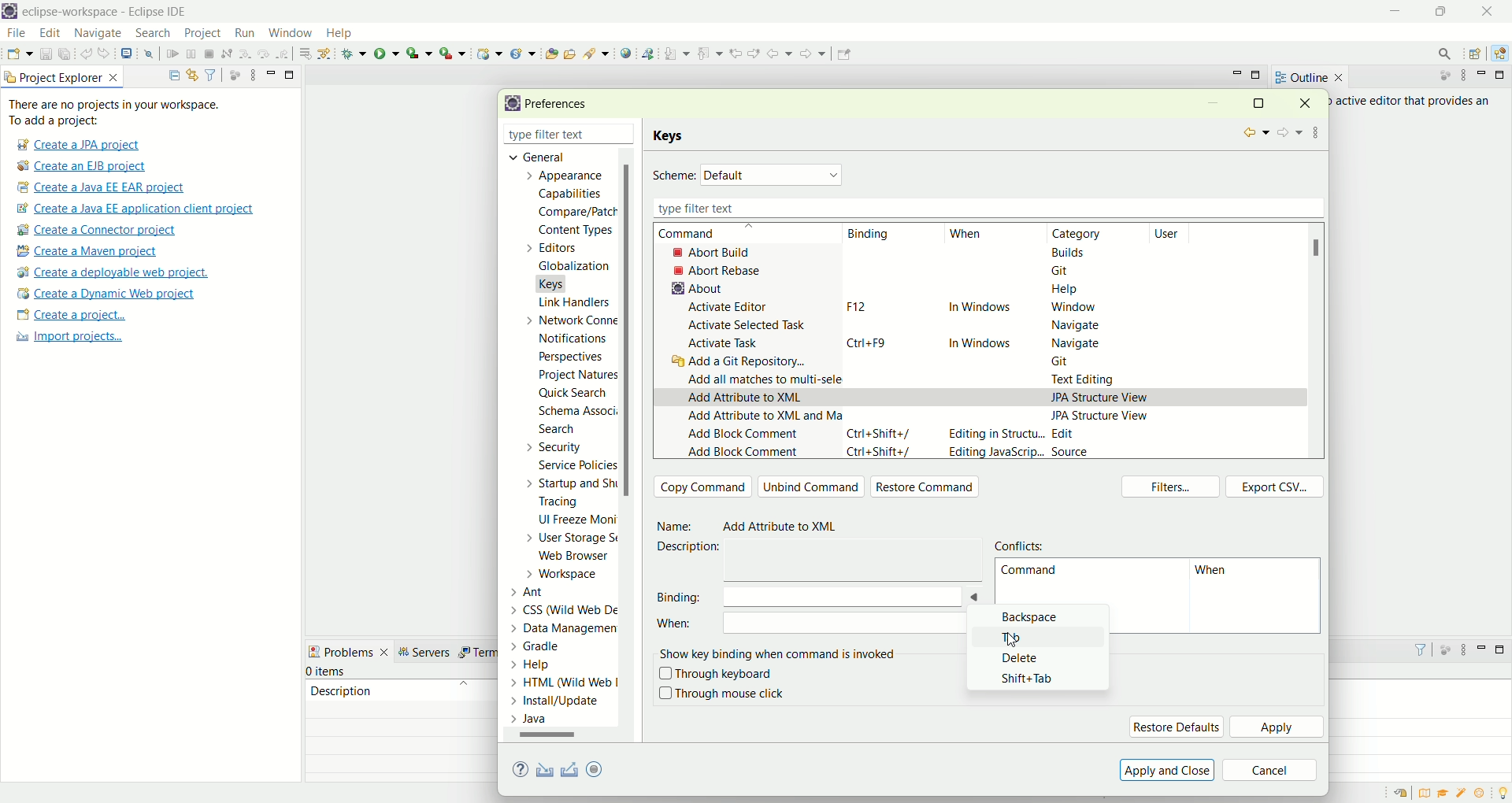 The width and height of the screenshot is (1512, 803). What do you see at coordinates (341, 690) in the screenshot?
I see `description` at bounding box center [341, 690].